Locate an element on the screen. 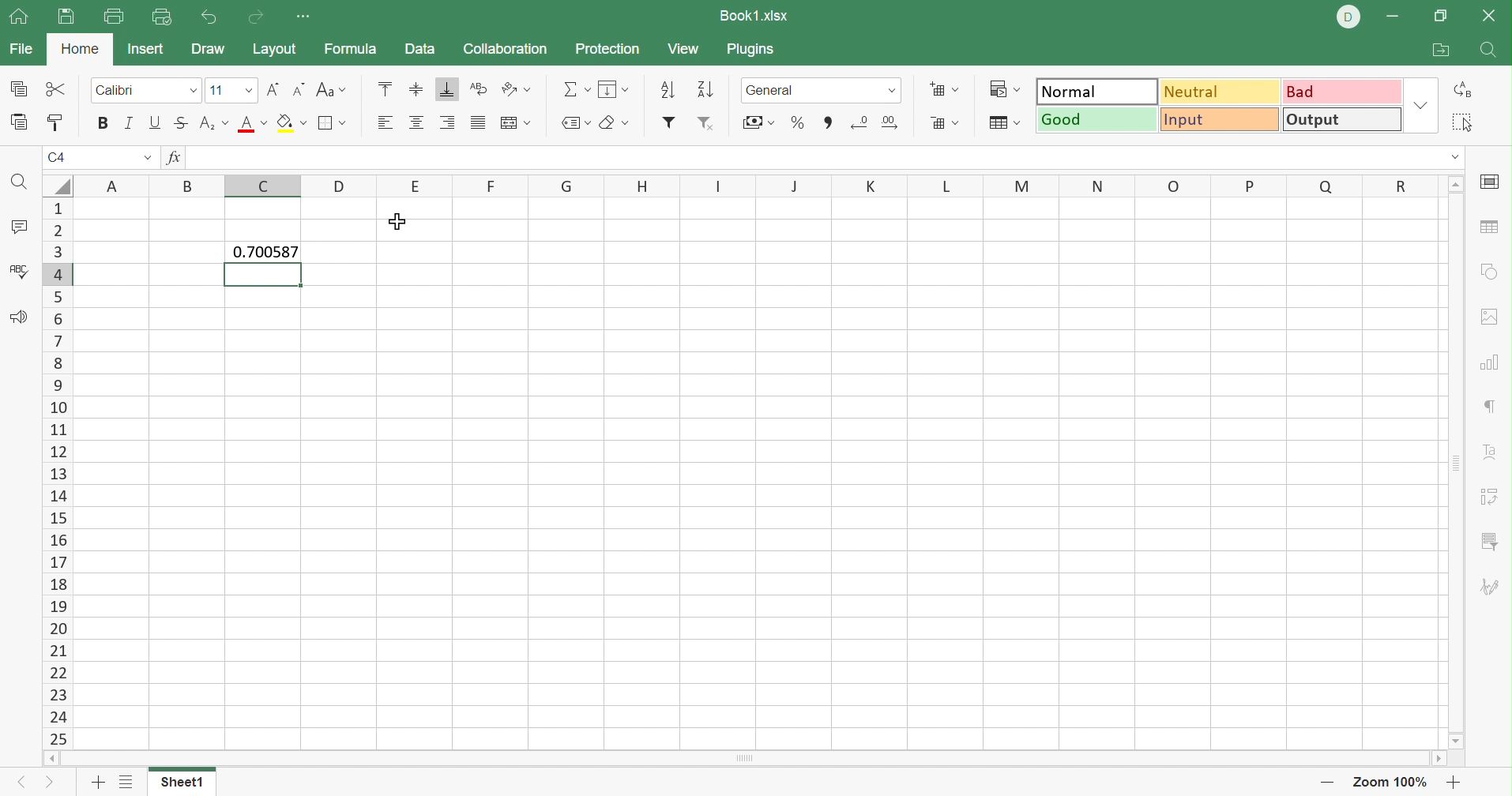 This screenshot has width=1512, height=796. Cut is located at coordinates (56, 88).